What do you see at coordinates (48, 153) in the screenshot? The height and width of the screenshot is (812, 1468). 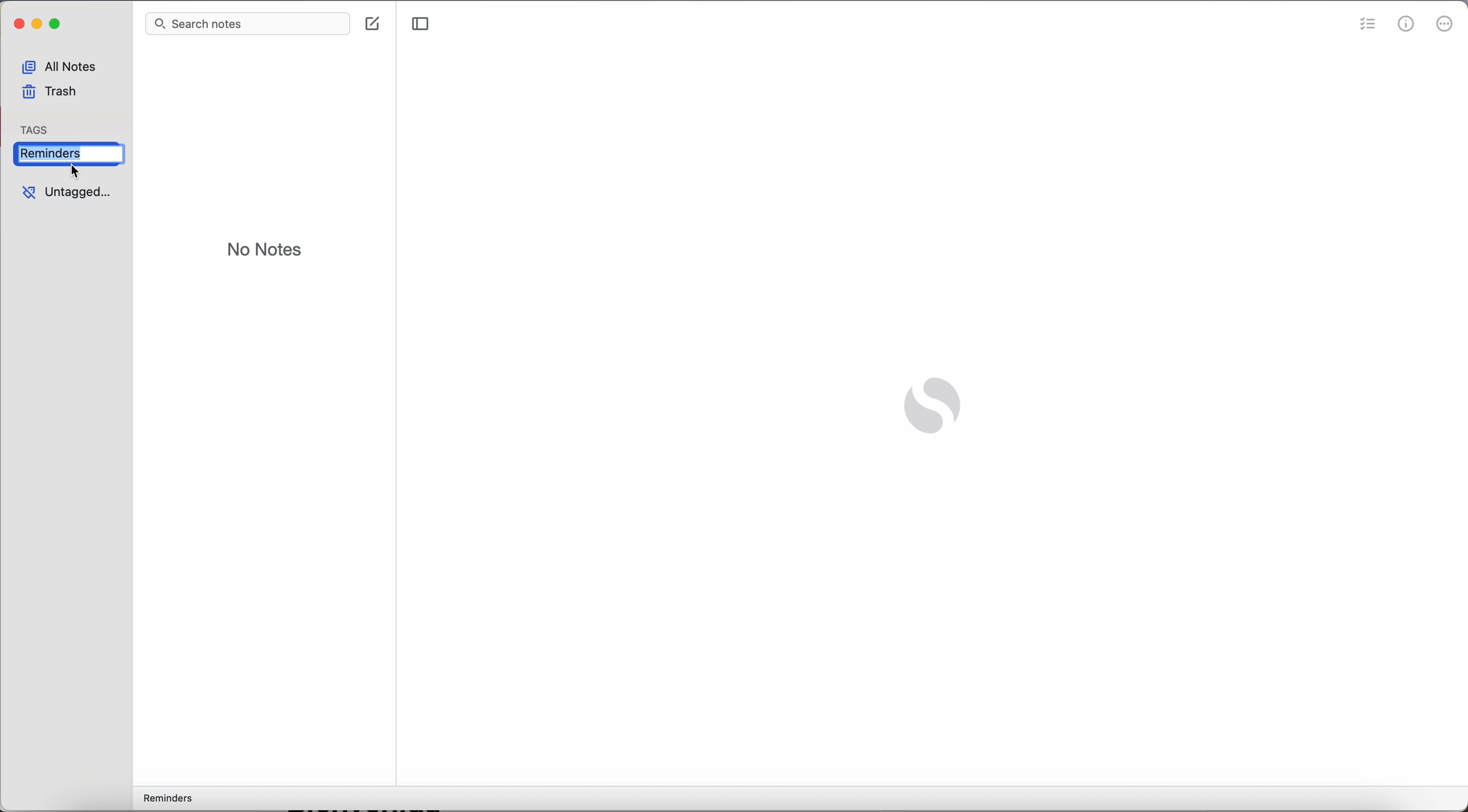 I see `typing` at bounding box center [48, 153].